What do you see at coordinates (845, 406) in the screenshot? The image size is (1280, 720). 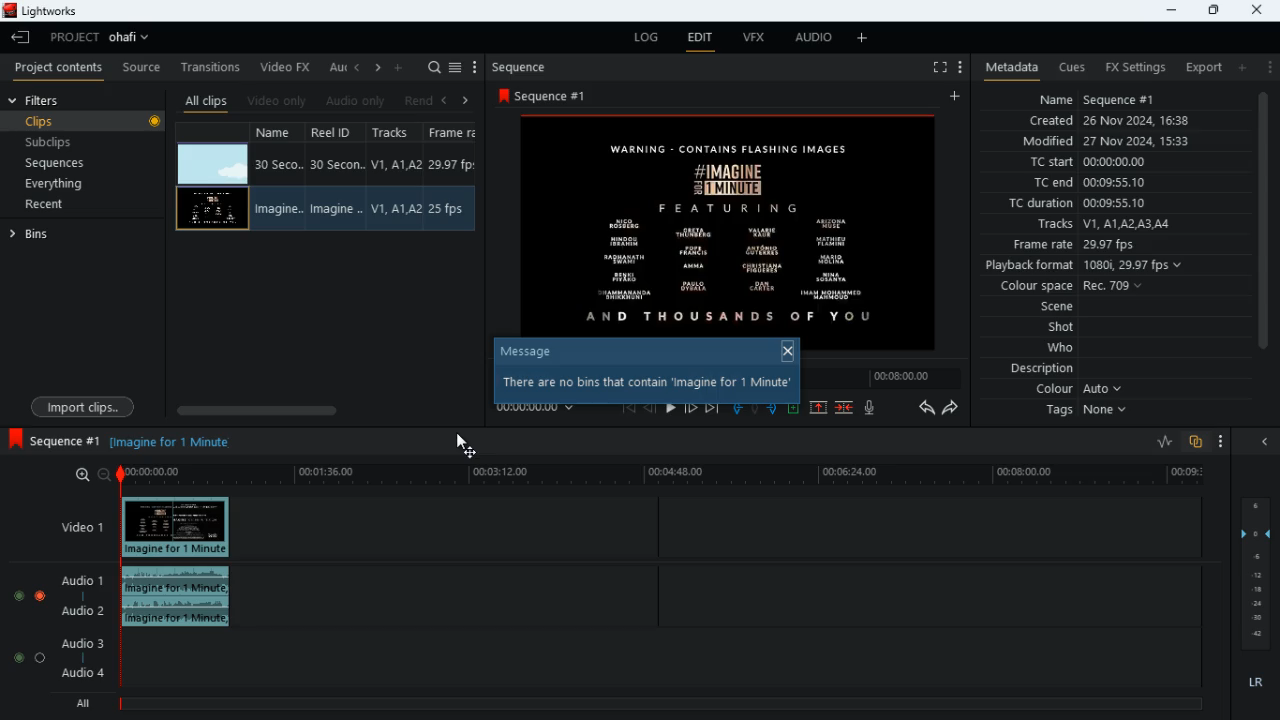 I see `merge` at bounding box center [845, 406].